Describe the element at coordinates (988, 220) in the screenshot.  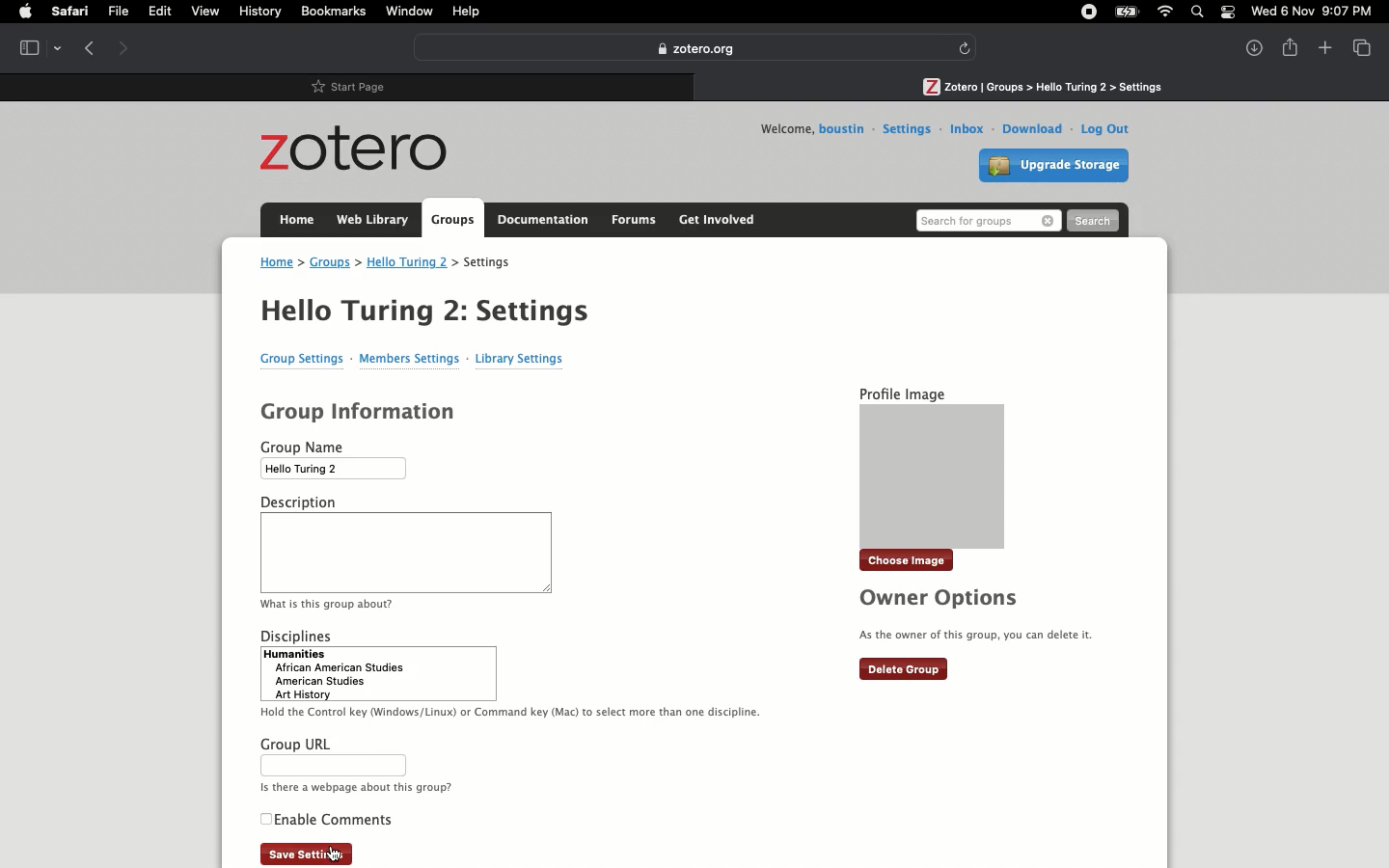
I see `Search` at that location.